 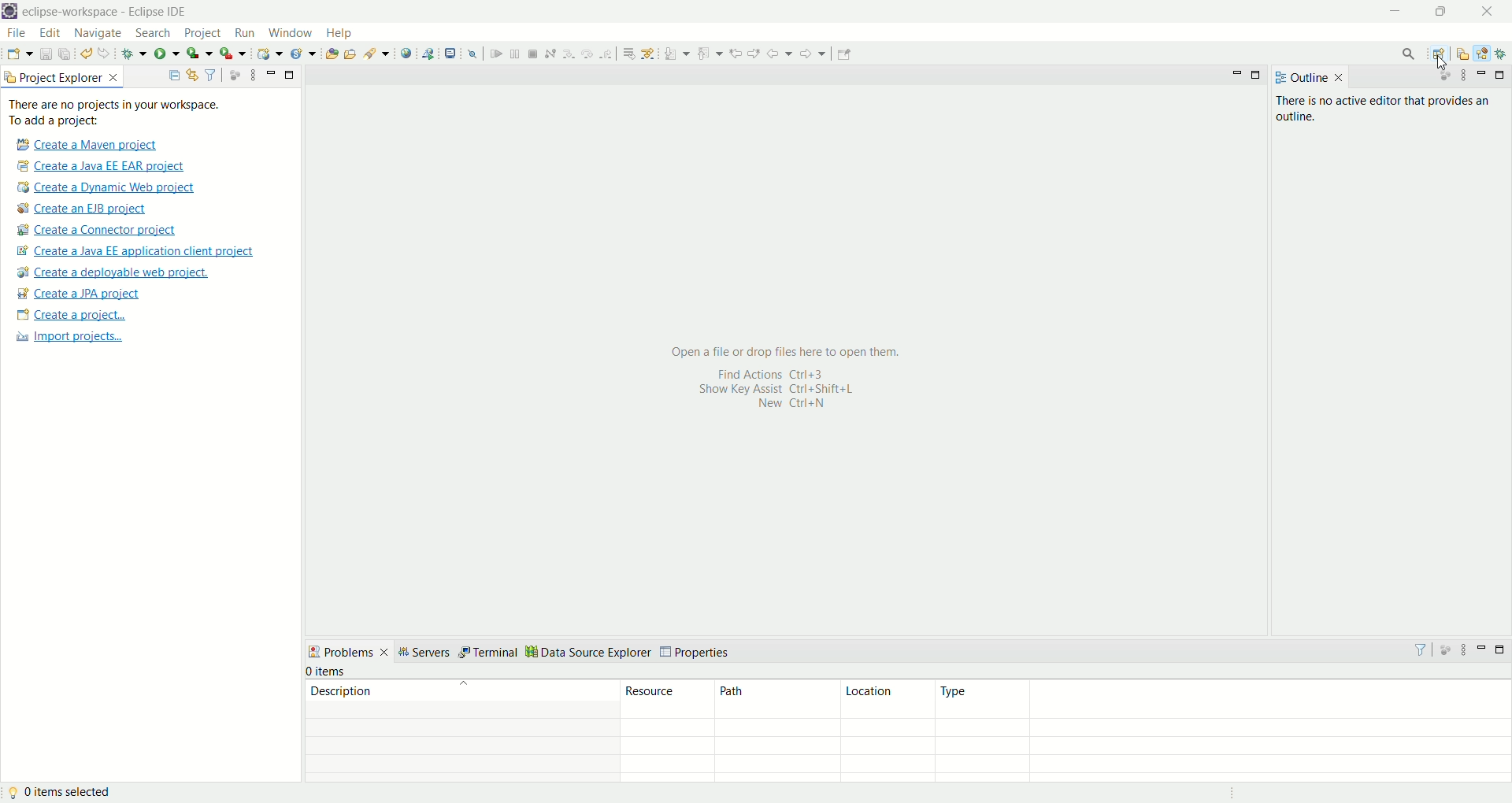 I want to click on create a JPA project, so click(x=78, y=293).